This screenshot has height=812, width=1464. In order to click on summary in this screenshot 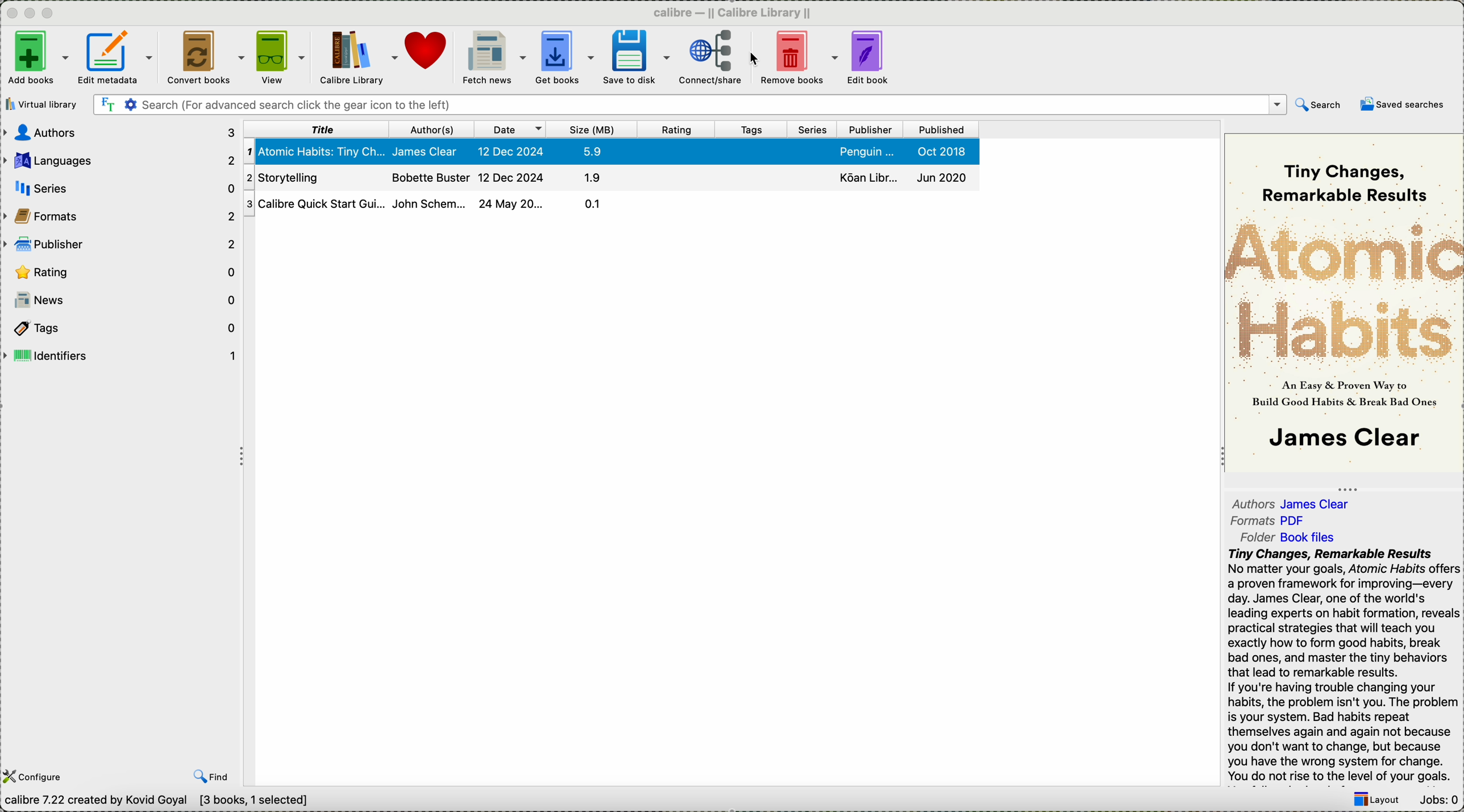, I will do `click(1343, 666)`.